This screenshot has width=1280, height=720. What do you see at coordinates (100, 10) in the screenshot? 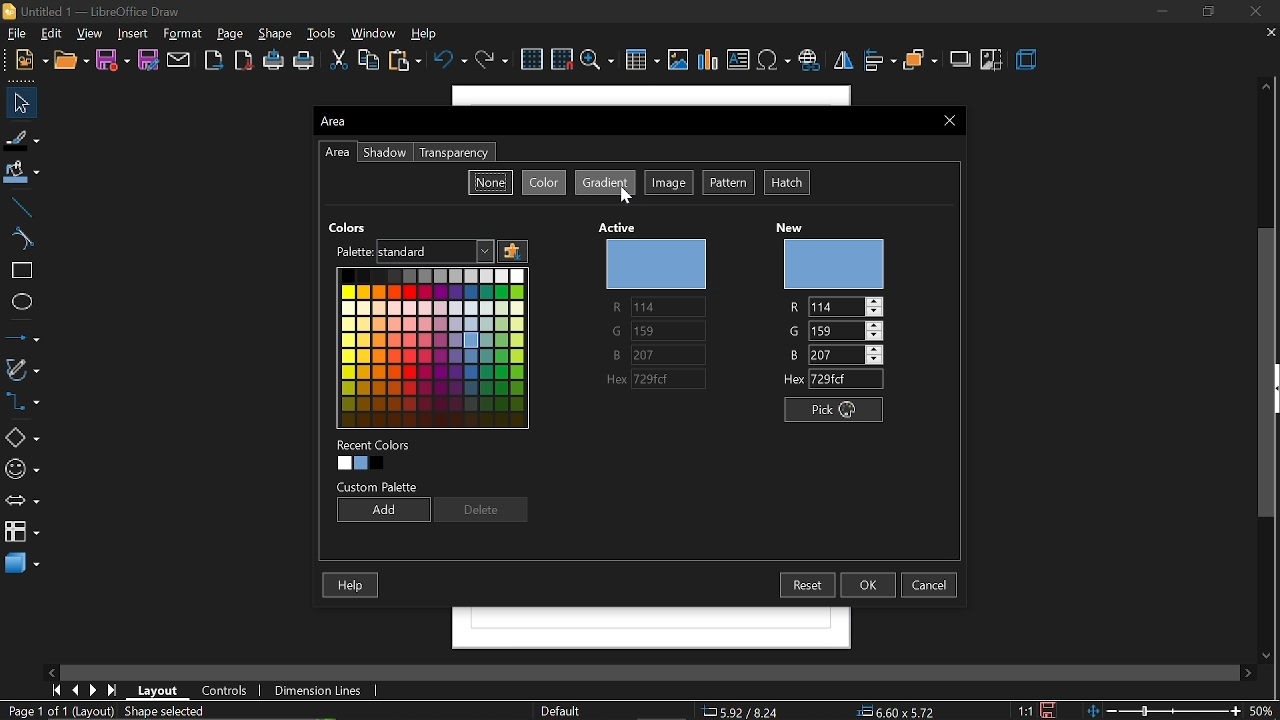
I see `Untitled 1 - LibreOffice Draw` at bounding box center [100, 10].